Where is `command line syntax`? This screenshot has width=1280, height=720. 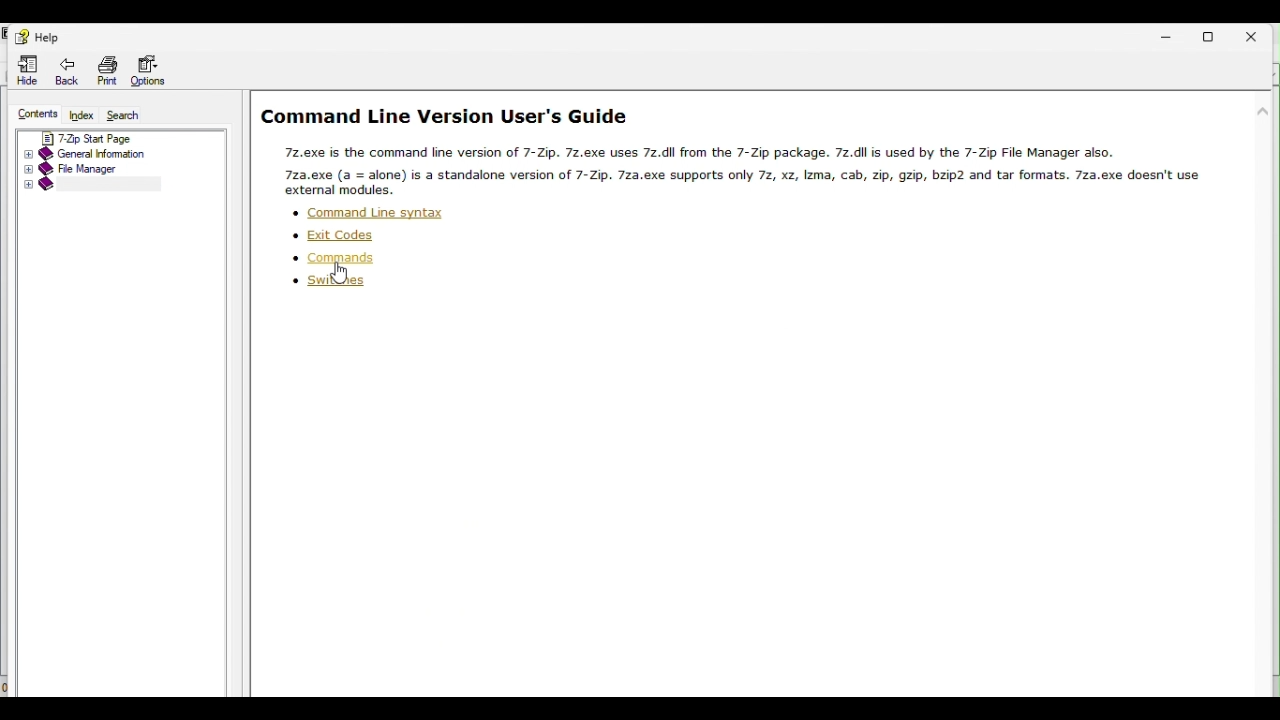 command line syntax is located at coordinates (369, 212).